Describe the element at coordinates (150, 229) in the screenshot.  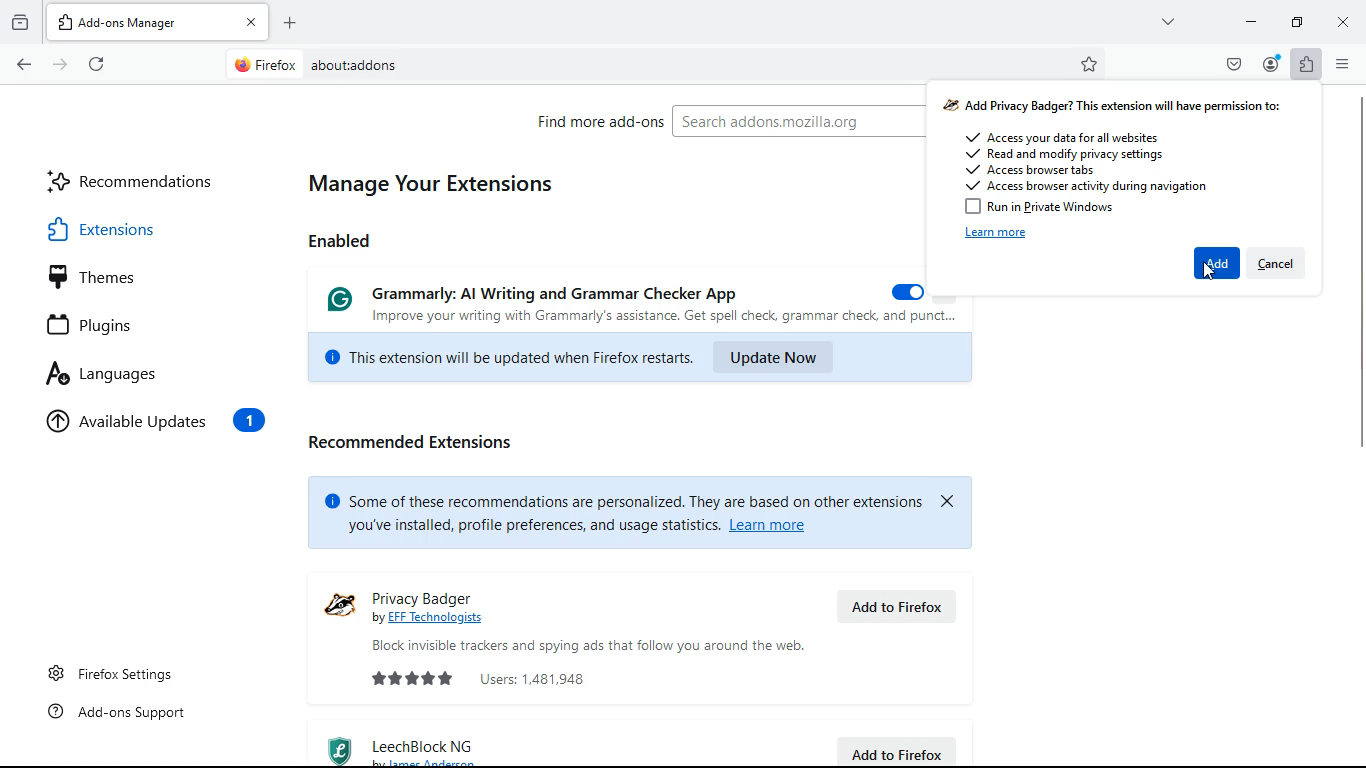
I see `extensions` at that location.